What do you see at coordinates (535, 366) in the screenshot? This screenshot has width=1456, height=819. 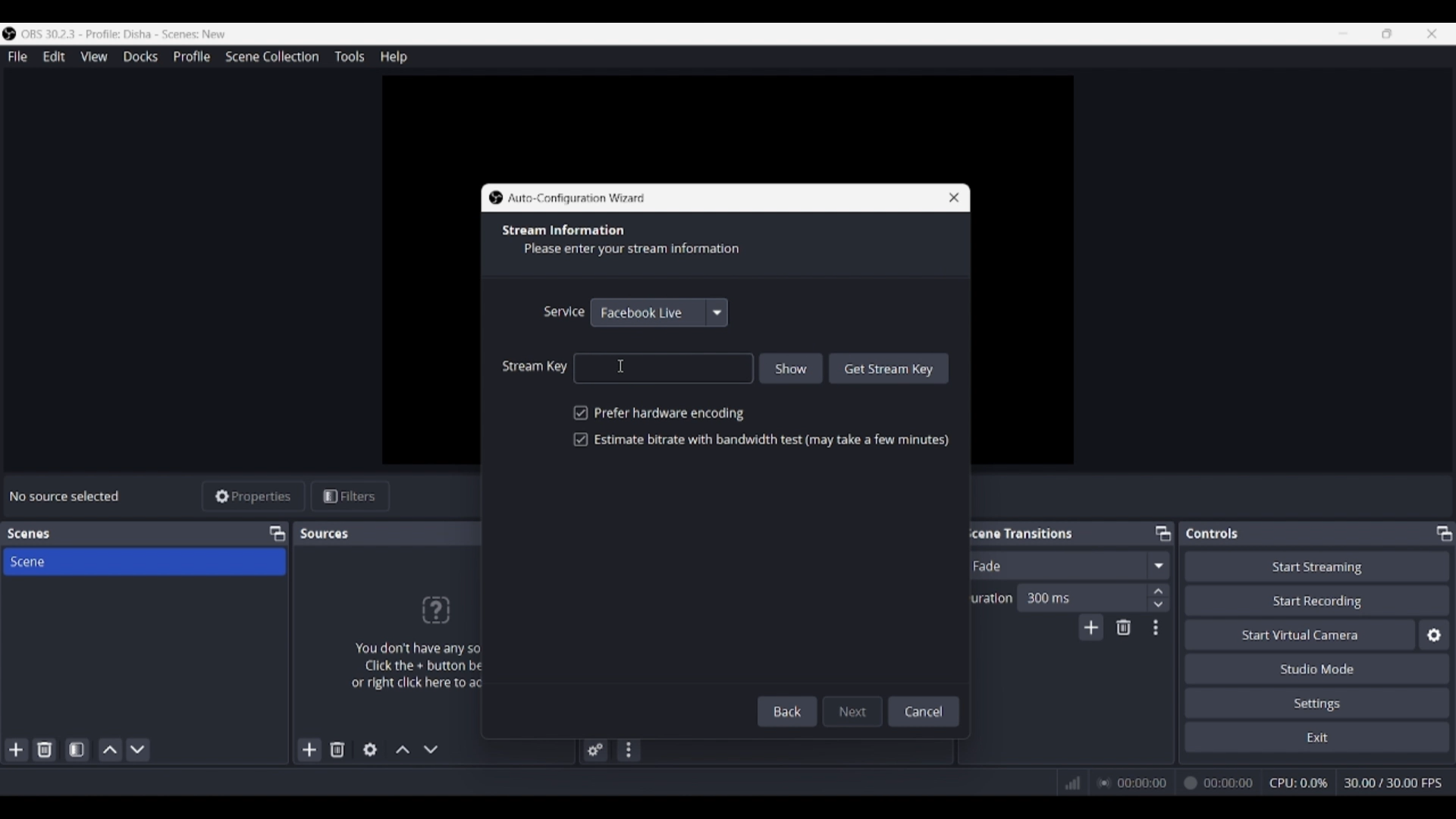 I see `Indicates stream key text box` at bounding box center [535, 366].